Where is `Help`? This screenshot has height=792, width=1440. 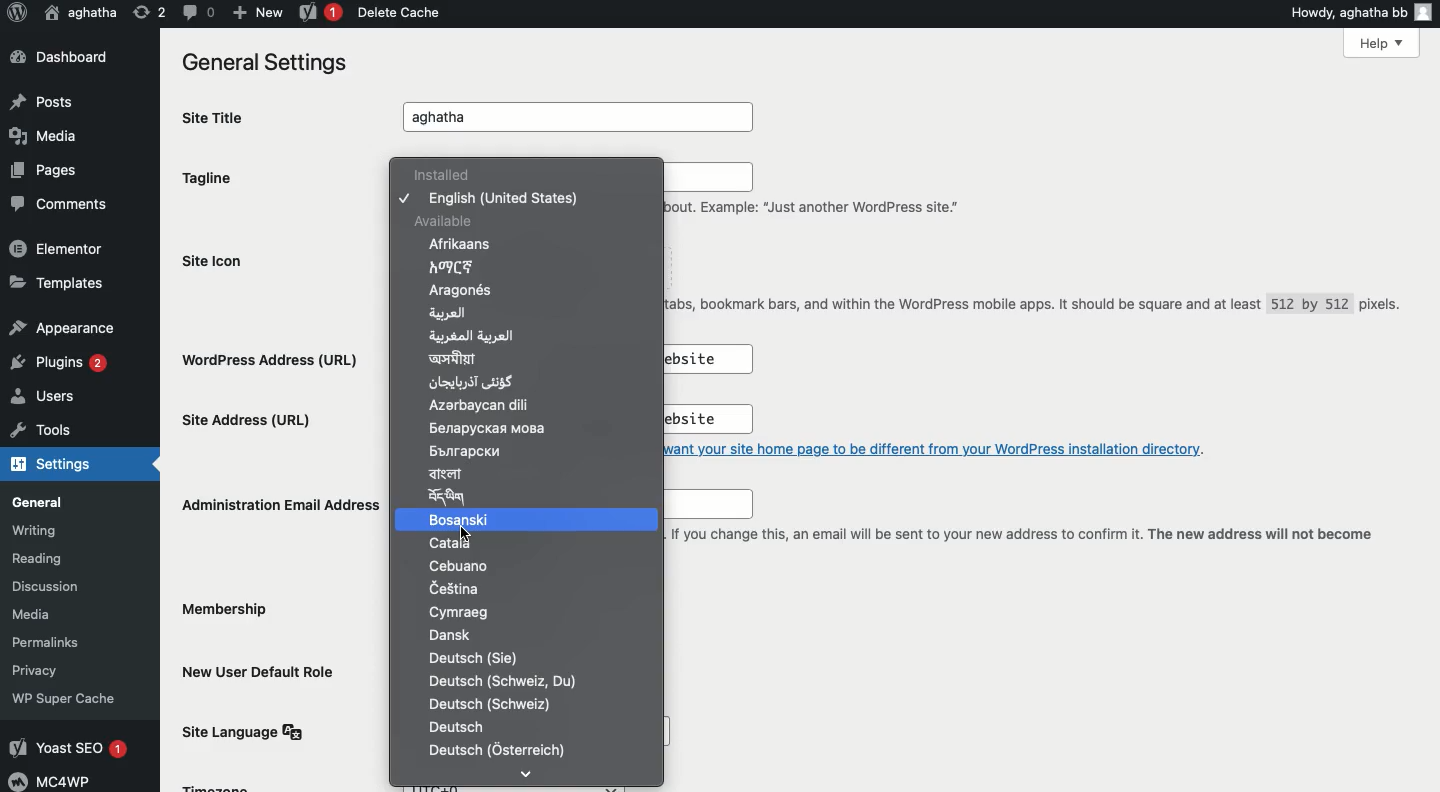
Help is located at coordinates (1383, 44).